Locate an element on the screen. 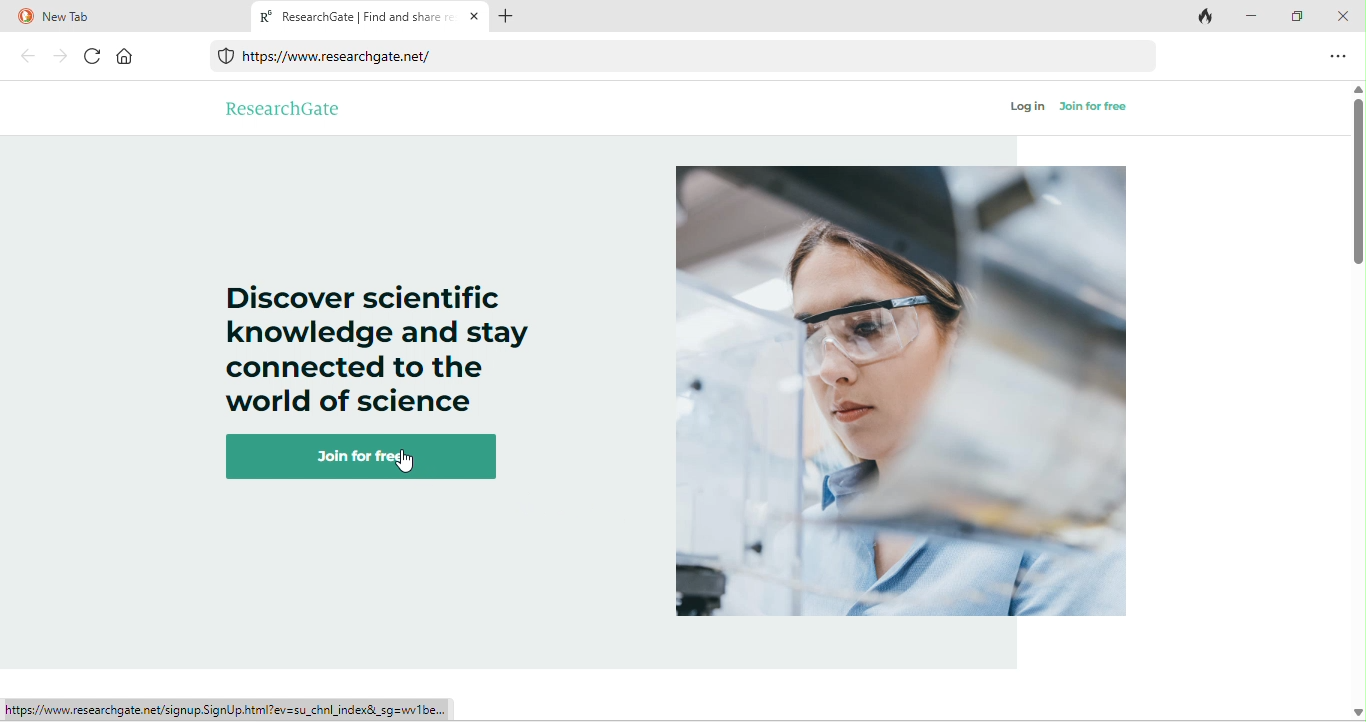 Image resolution: width=1366 pixels, height=722 pixels. forward is located at coordinates (61, 56).